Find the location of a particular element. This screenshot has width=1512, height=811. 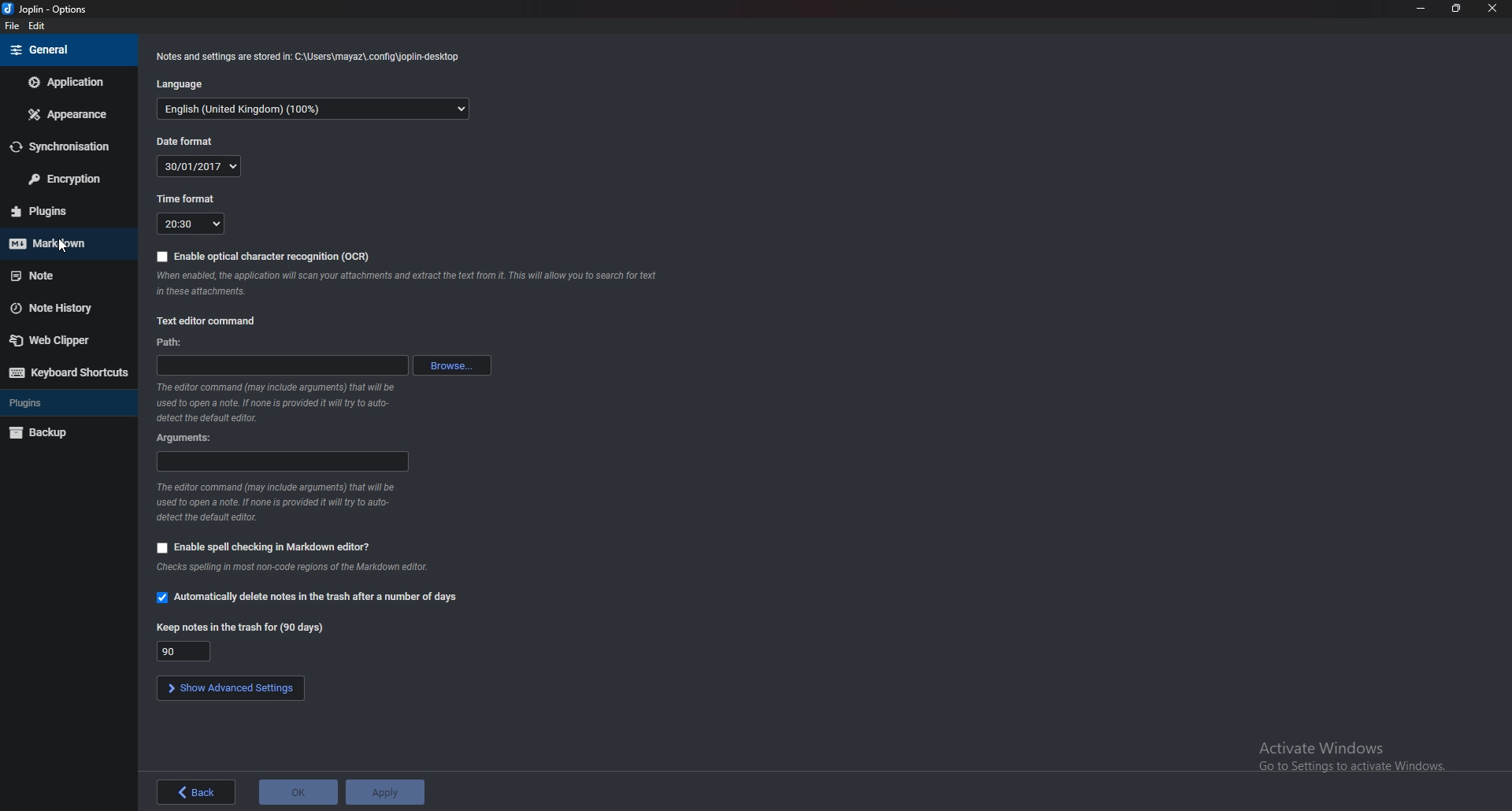

Note is located at coordinates (61, 276).